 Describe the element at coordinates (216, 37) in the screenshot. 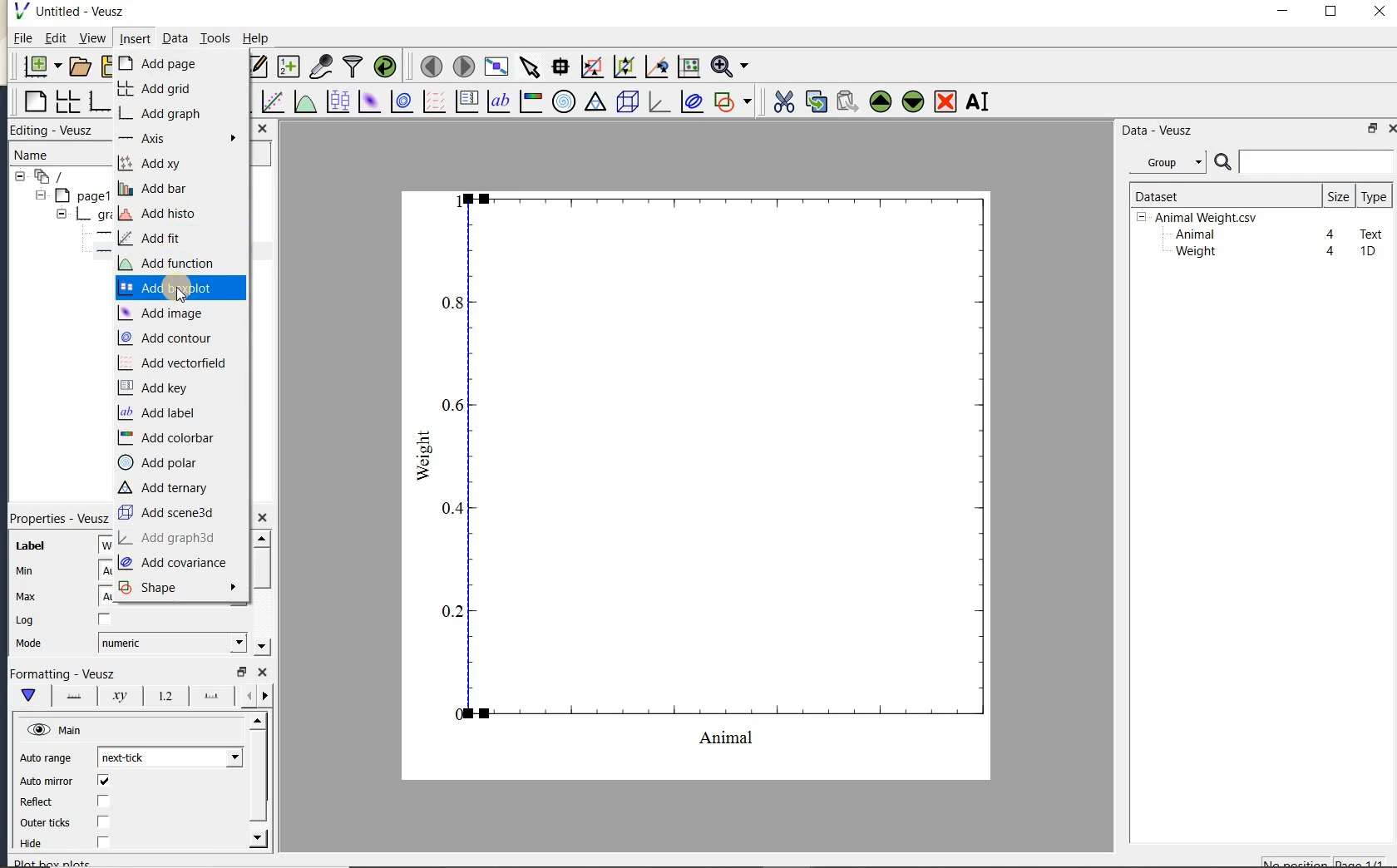

I see `Tools` at that location.